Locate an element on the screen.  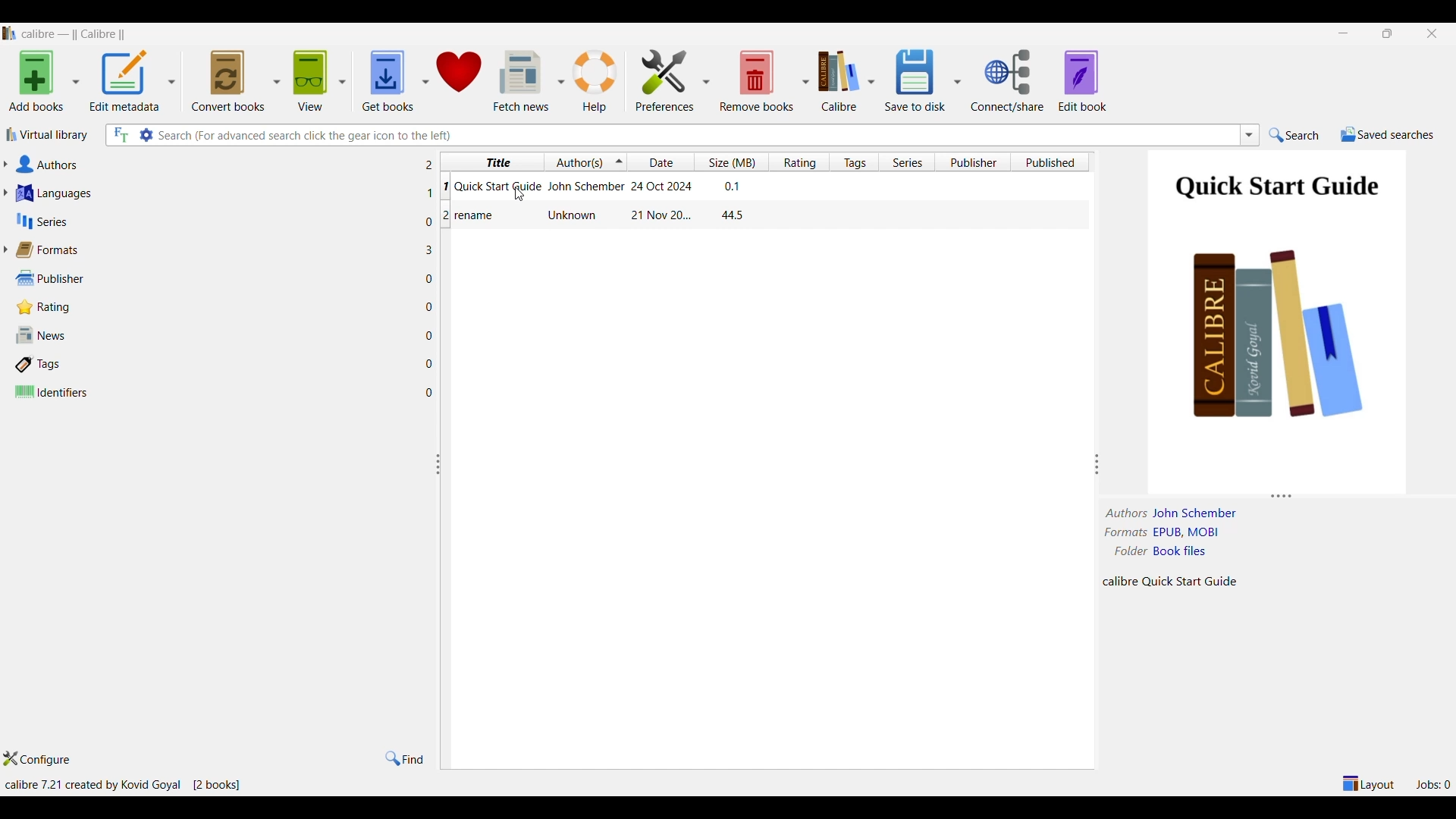
book files is located at coordinates (1179, 551).